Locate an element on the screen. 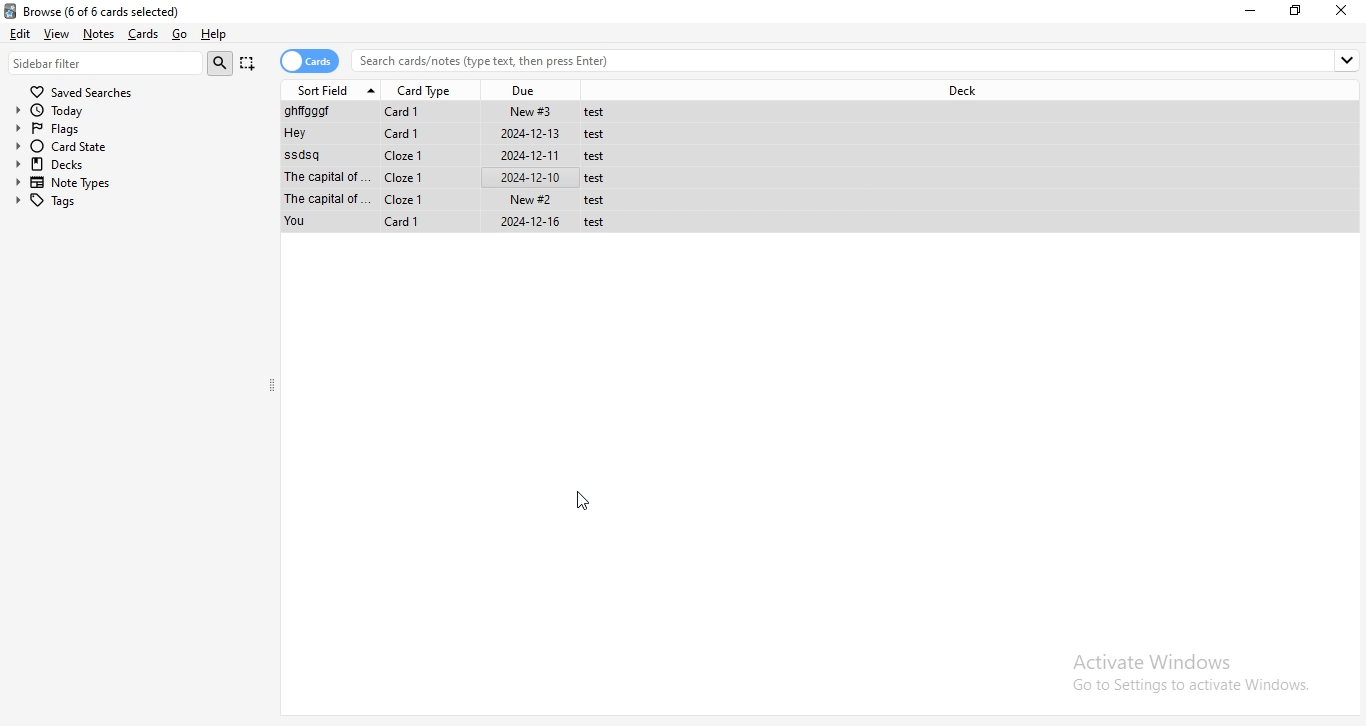 The width and height of the screenshot is (1366, 726). sidebar filter is located at coordinates (106, 63).